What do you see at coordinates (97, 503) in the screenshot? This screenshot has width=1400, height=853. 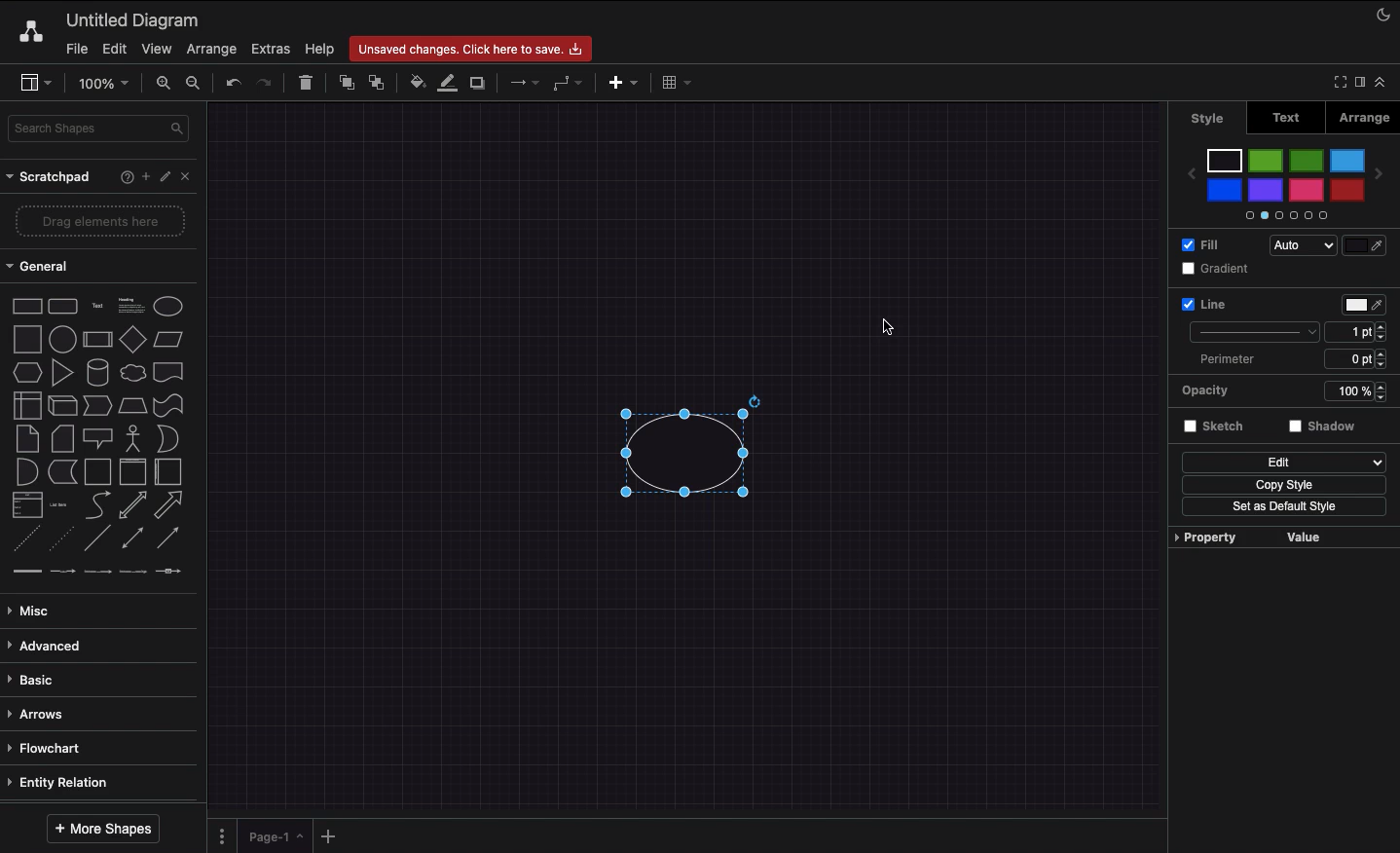 I see `Curved arrow` at bounding box center [97, 503].